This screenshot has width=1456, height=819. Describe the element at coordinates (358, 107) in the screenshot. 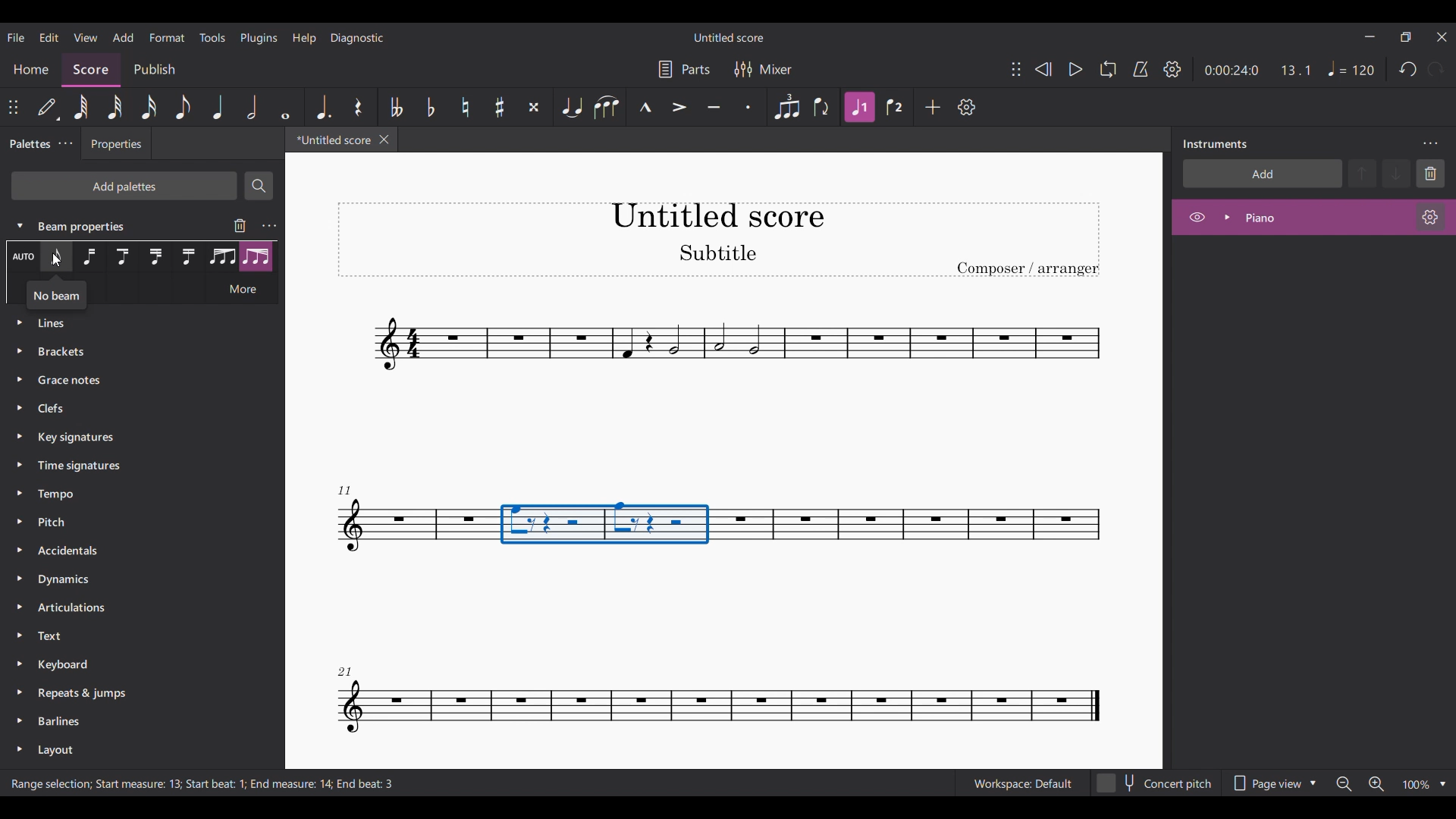

I see `Rest` at that location.